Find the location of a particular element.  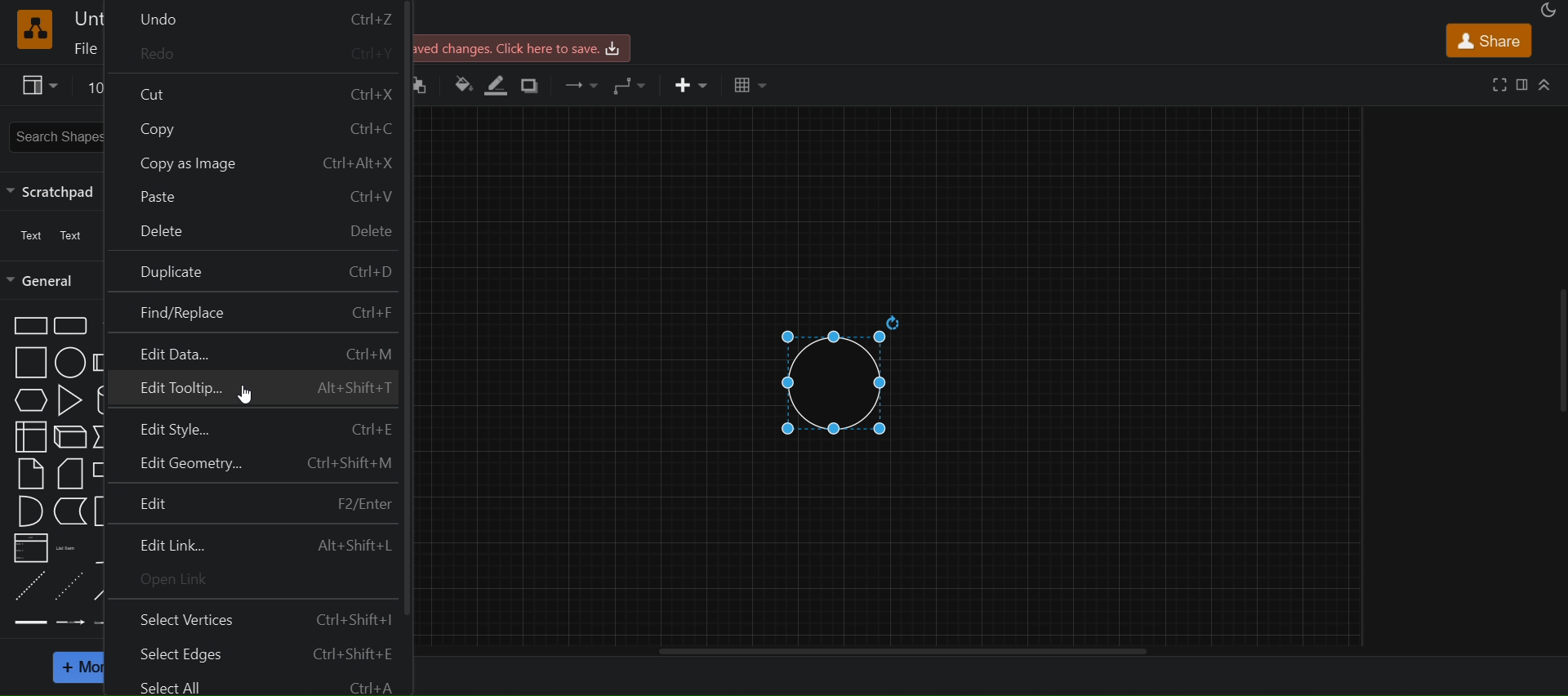

edit tooltip is located at coordinates (253, 390).